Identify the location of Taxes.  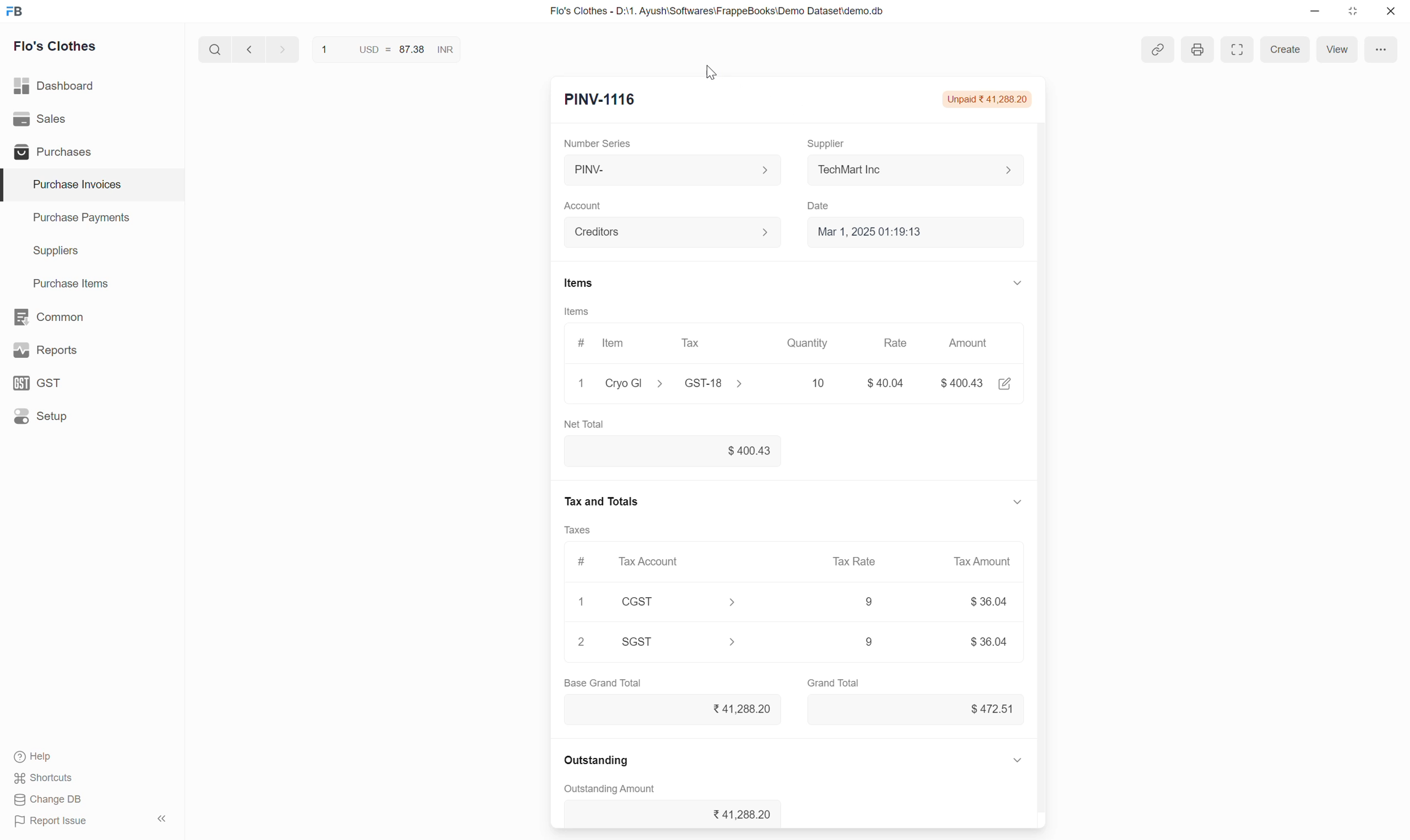
(584, 533).